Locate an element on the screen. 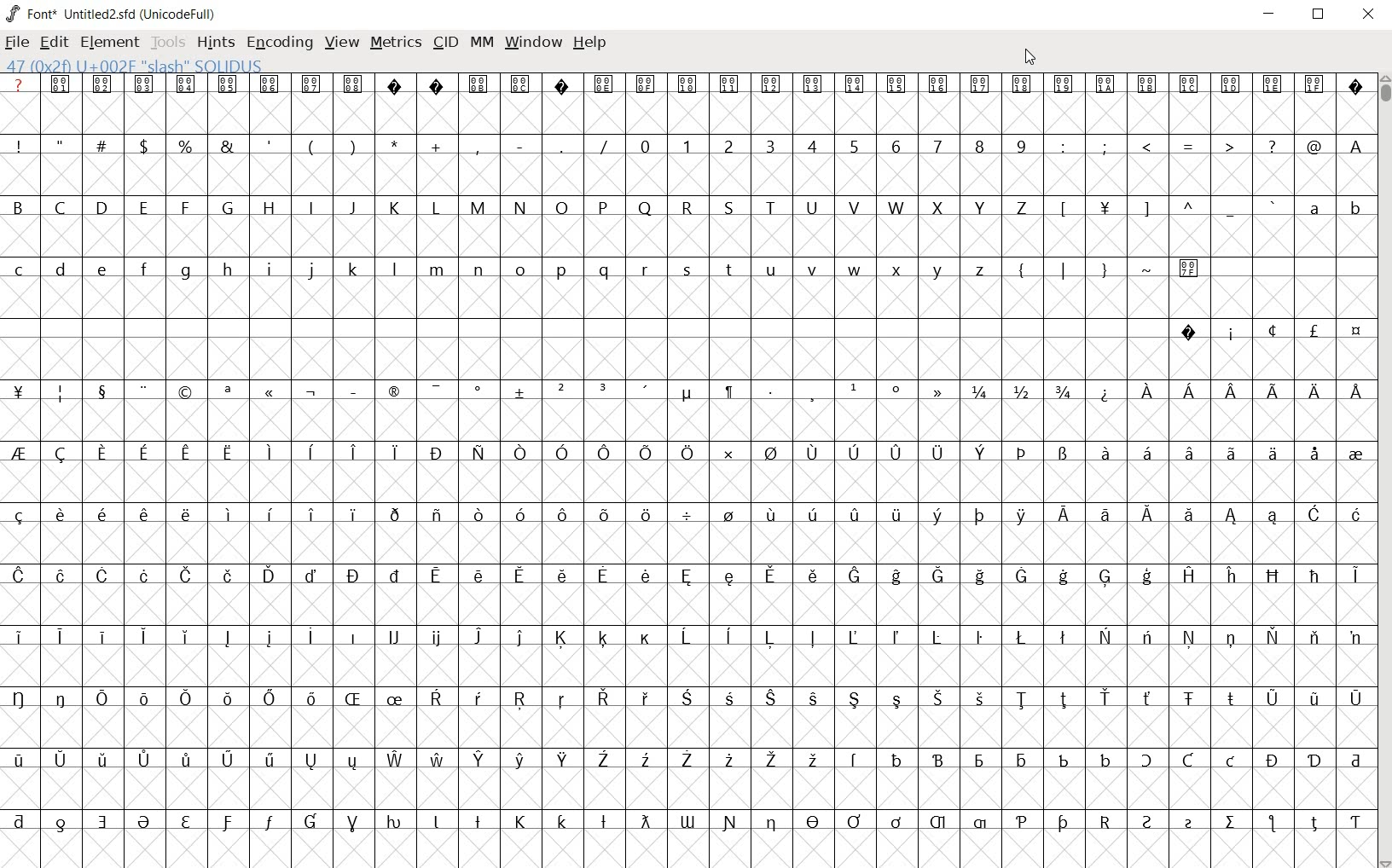 The height and width of the screenshot is (868, 1392). VIEW is located at coordinates (342, 43).